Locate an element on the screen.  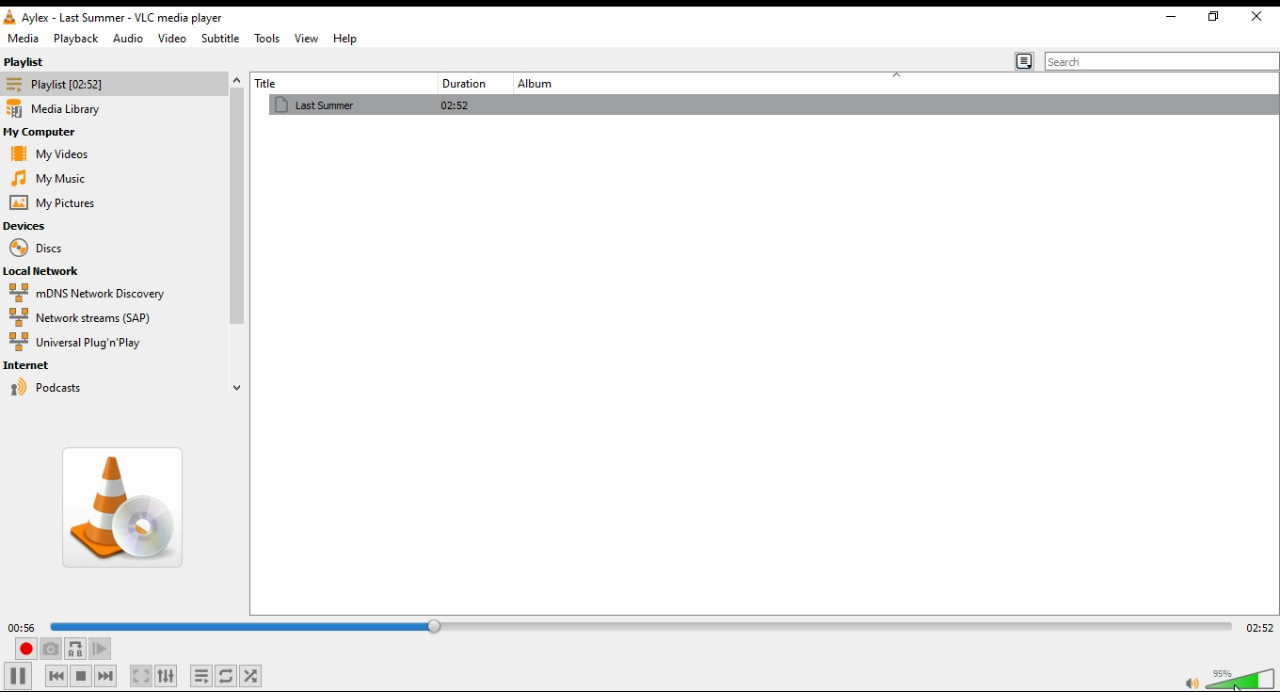
search bar is located at coordinates (1162, 60).